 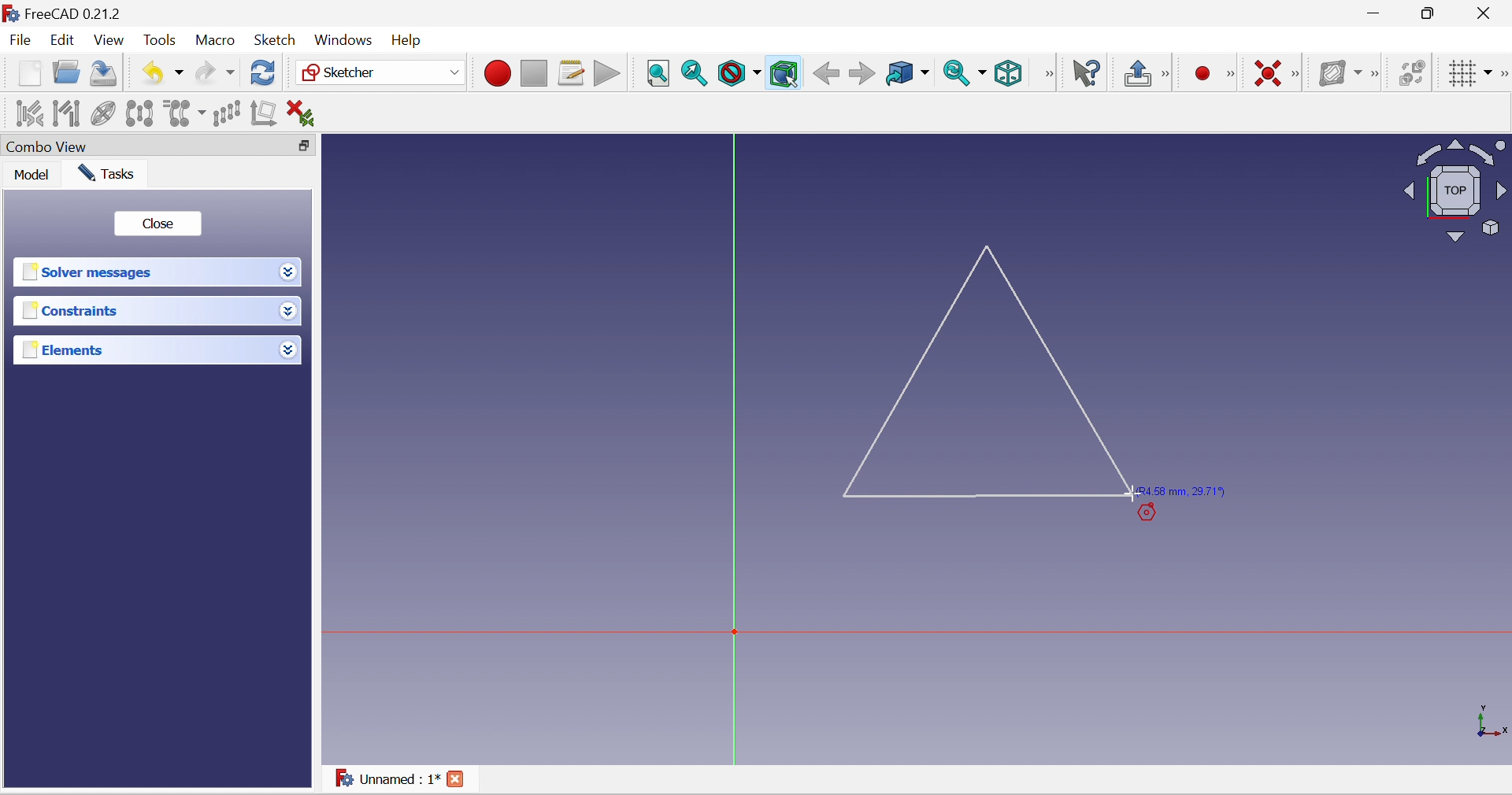 I want to click on Drop down, so click(x=289, y=312).